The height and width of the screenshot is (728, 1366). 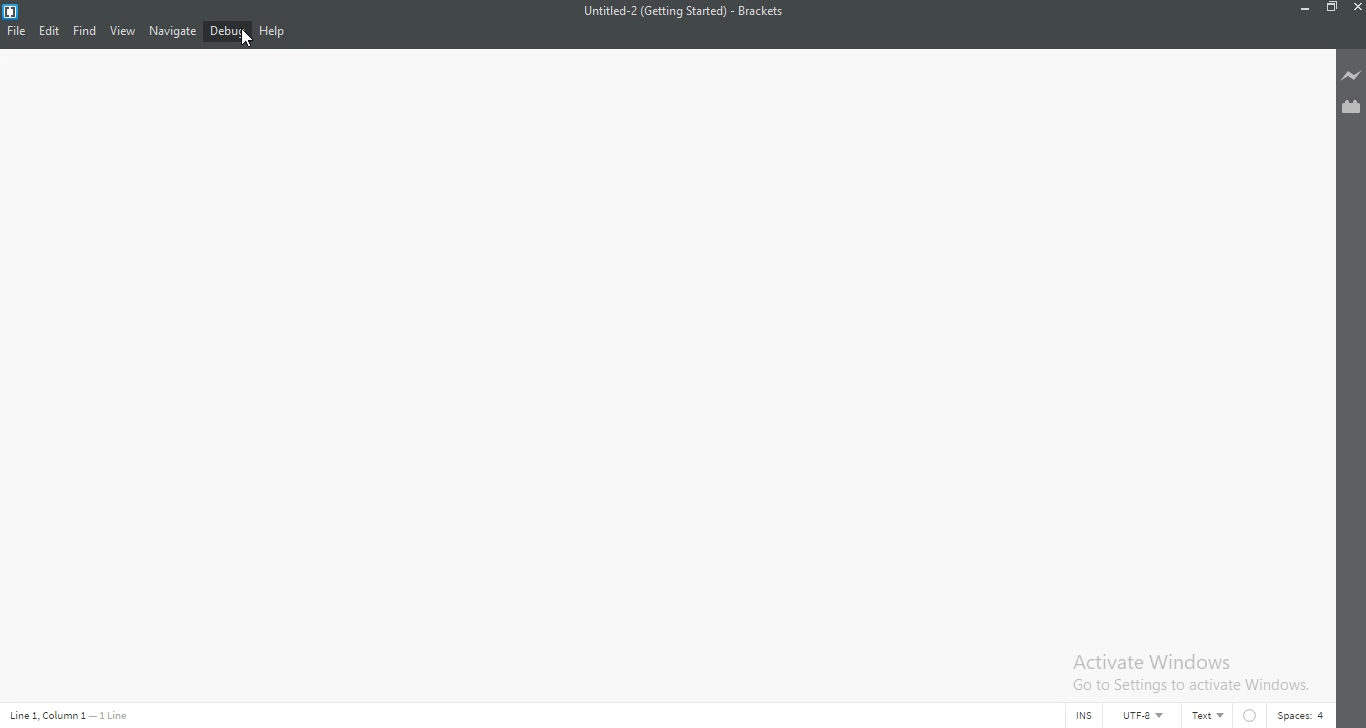 What do you see at coordinates (15, 31) in the screenshot?
I see `file` at bounding box center [15, 31].